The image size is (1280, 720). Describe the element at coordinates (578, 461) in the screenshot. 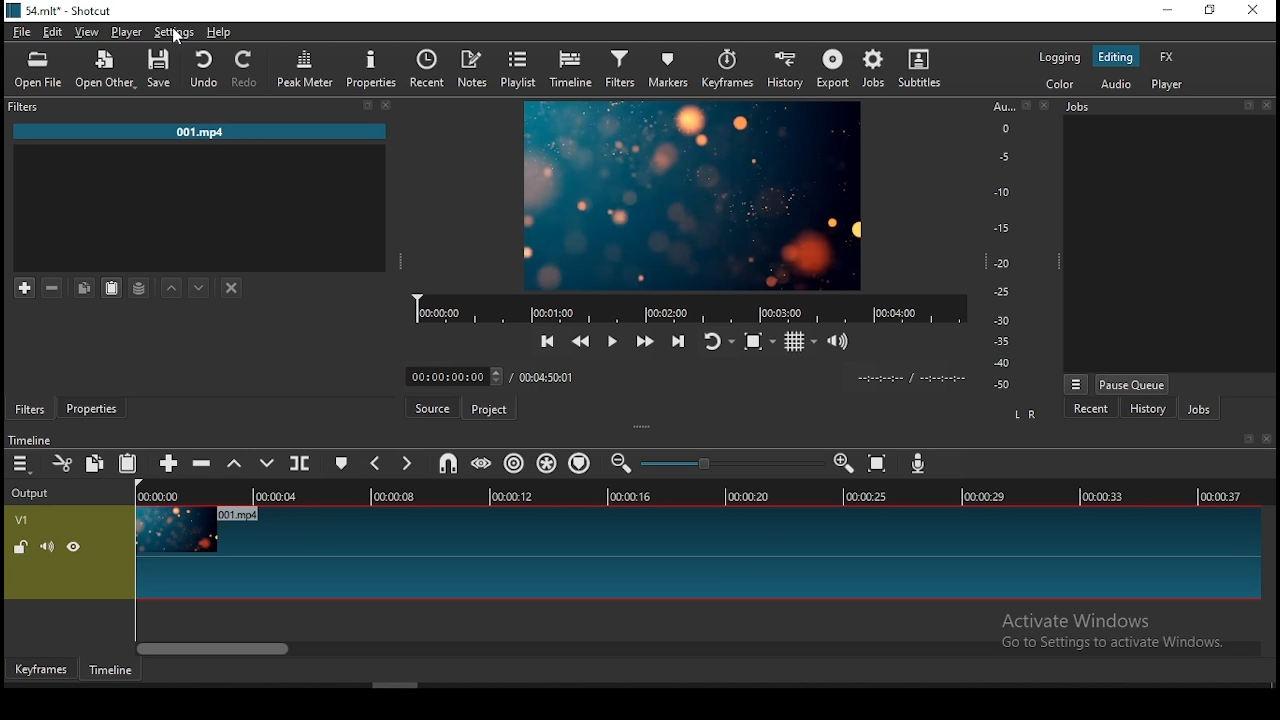

I see `ripple markers` at that location.